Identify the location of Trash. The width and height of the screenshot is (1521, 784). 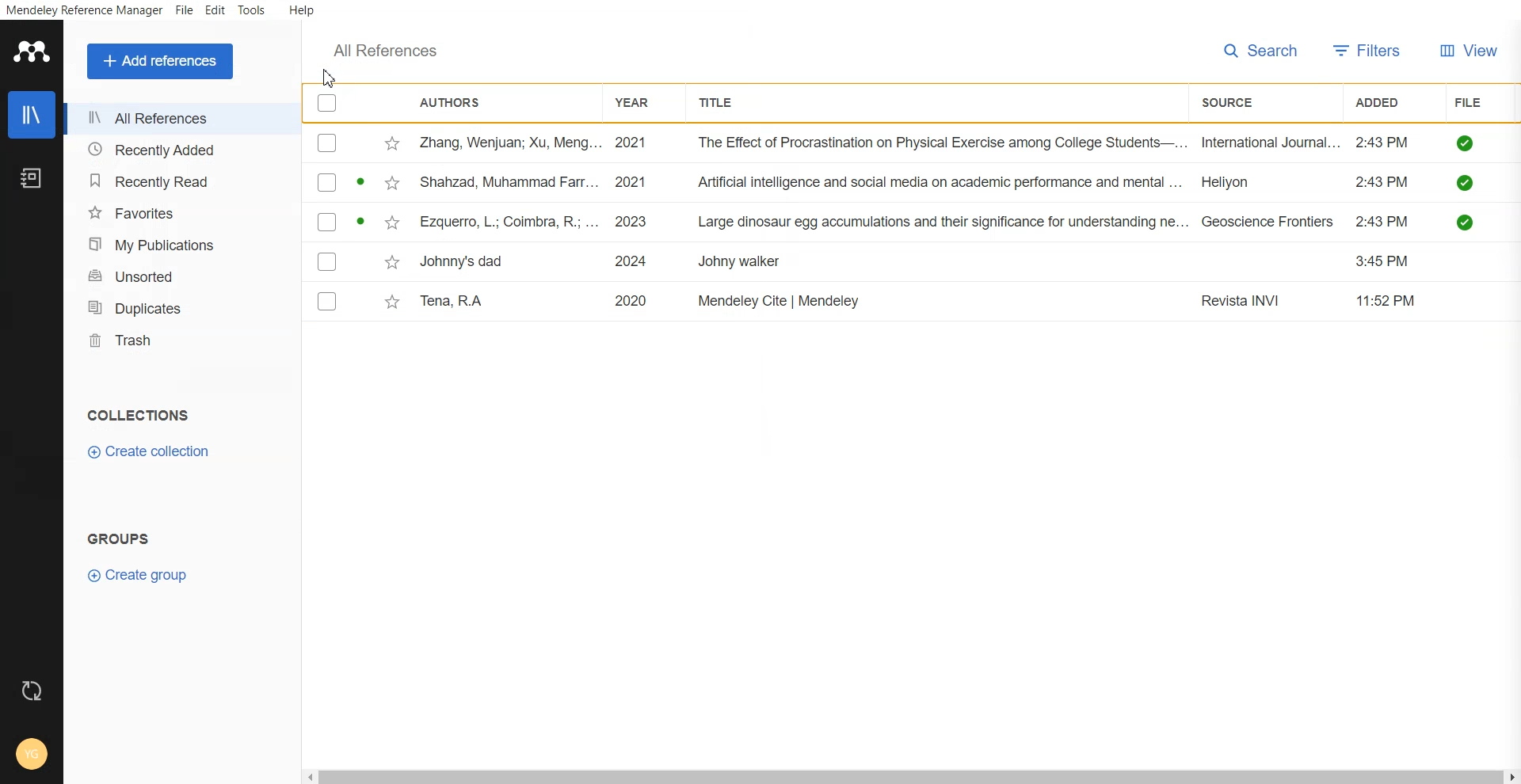
(178, 339).